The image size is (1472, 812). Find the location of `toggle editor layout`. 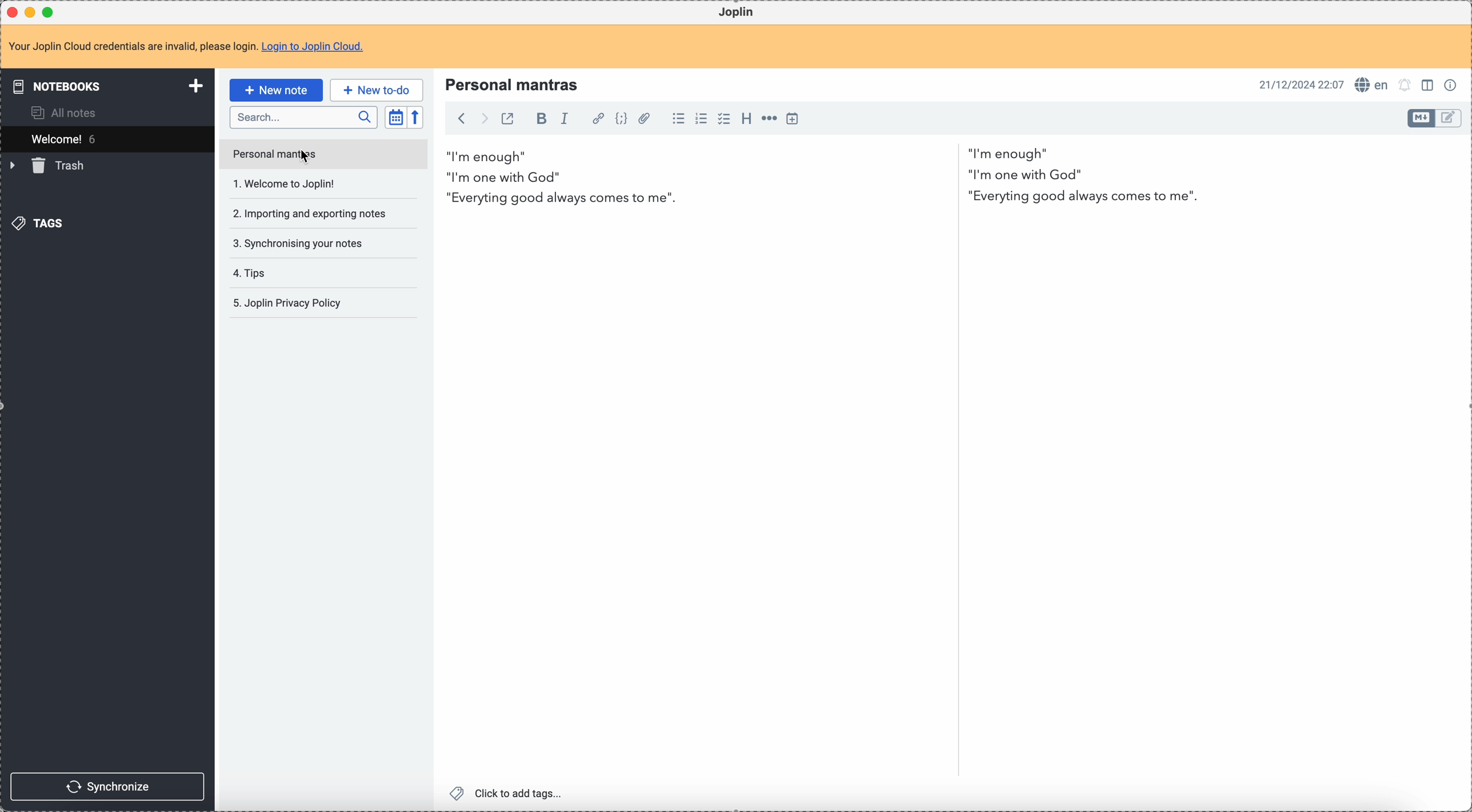

toggle editor layout is located at coordinates (1422, 119).